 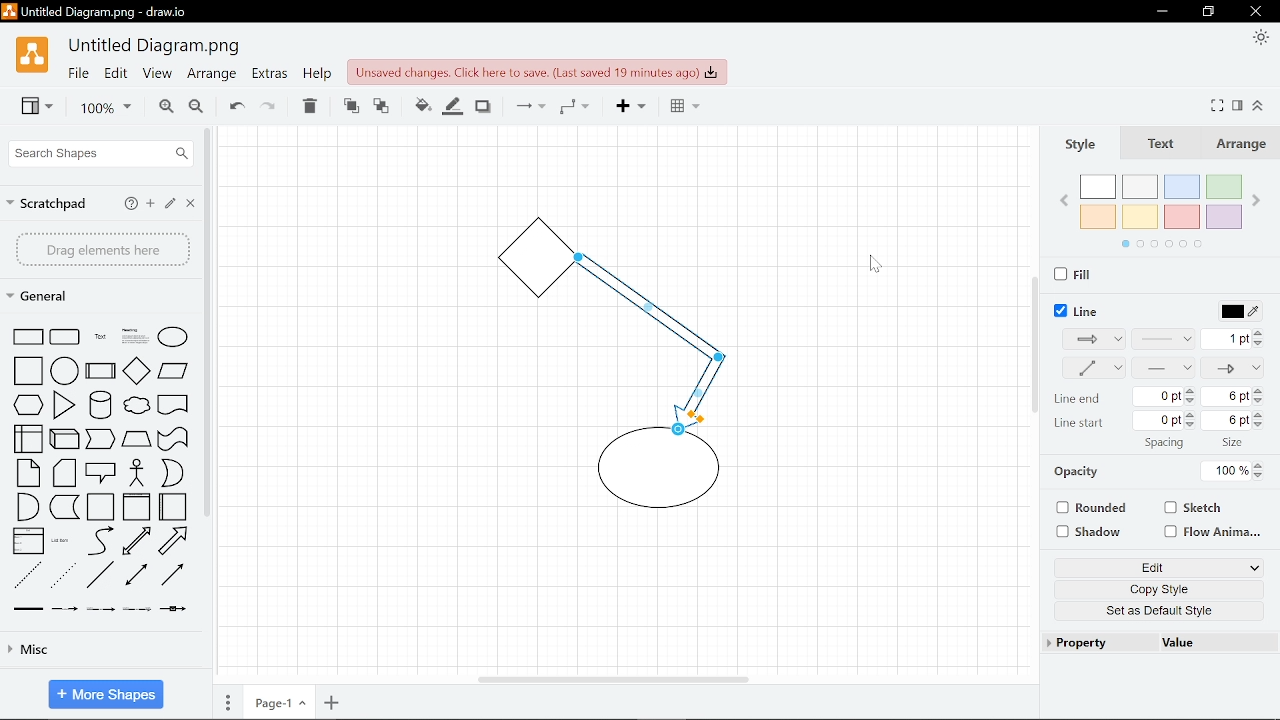 I want to click on Current opacity, so click(x=1227, y=470).